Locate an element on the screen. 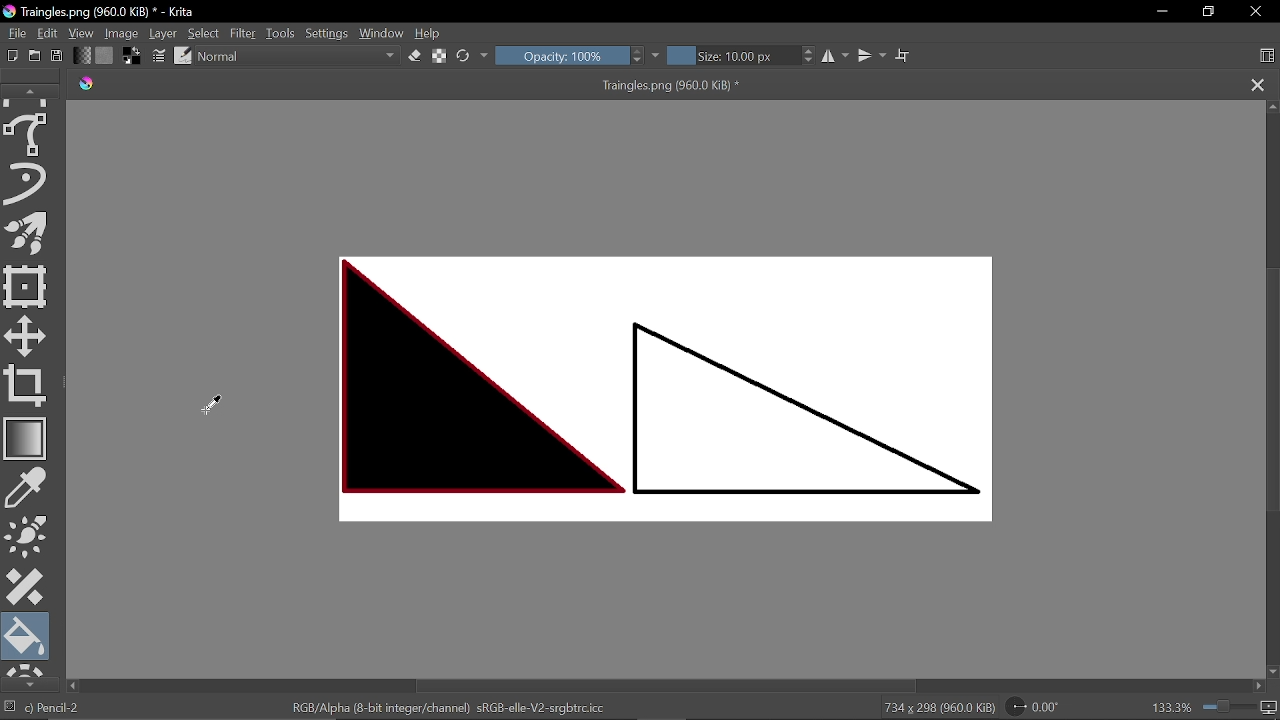 The width and height of the screenshot is (1280, 720). Gradient is located at coordinates (26, 438).